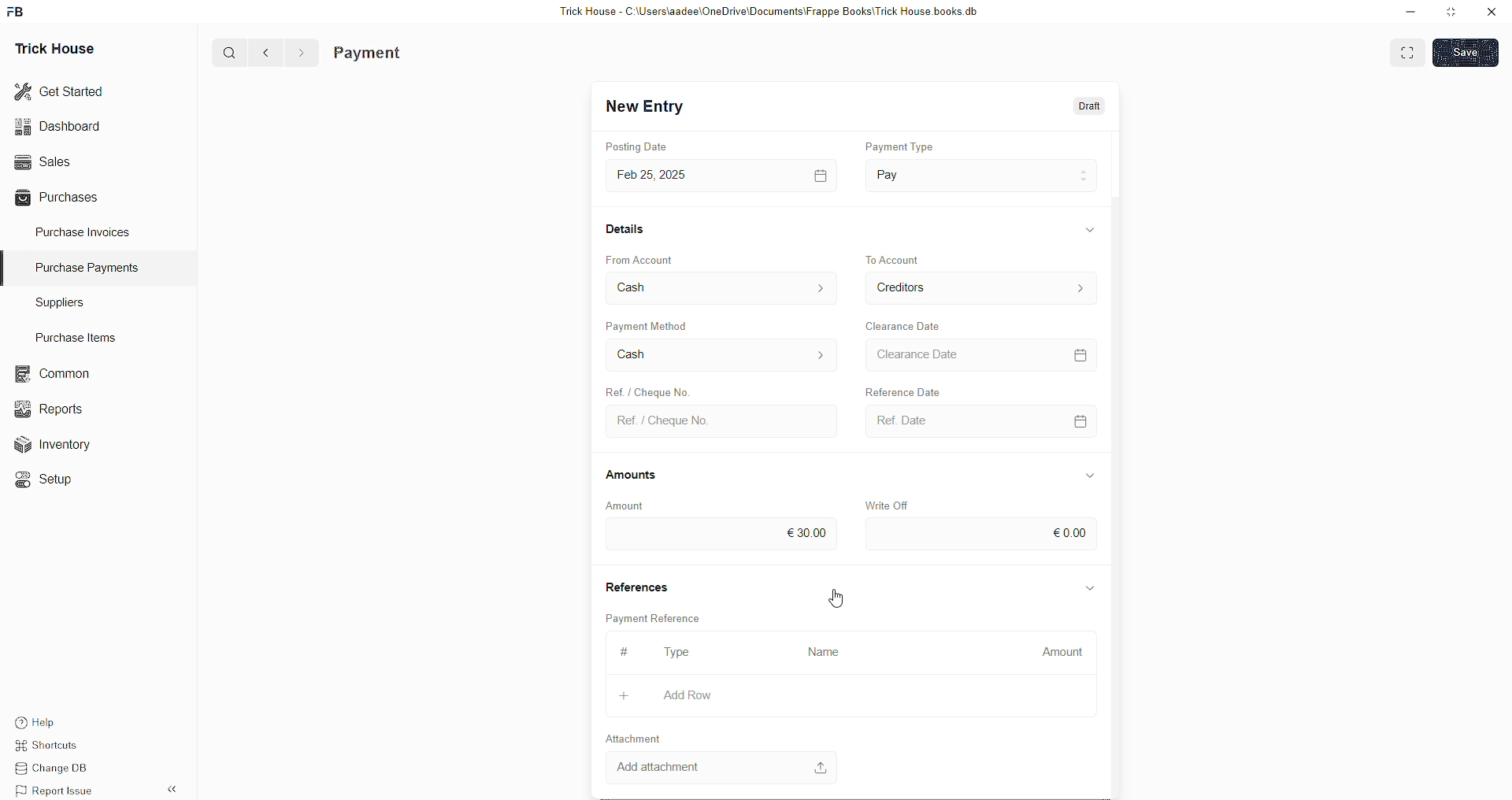 This screenshot has height=800, width=1512. I want to click on Ref. / Cheque No., so click(659, 423).